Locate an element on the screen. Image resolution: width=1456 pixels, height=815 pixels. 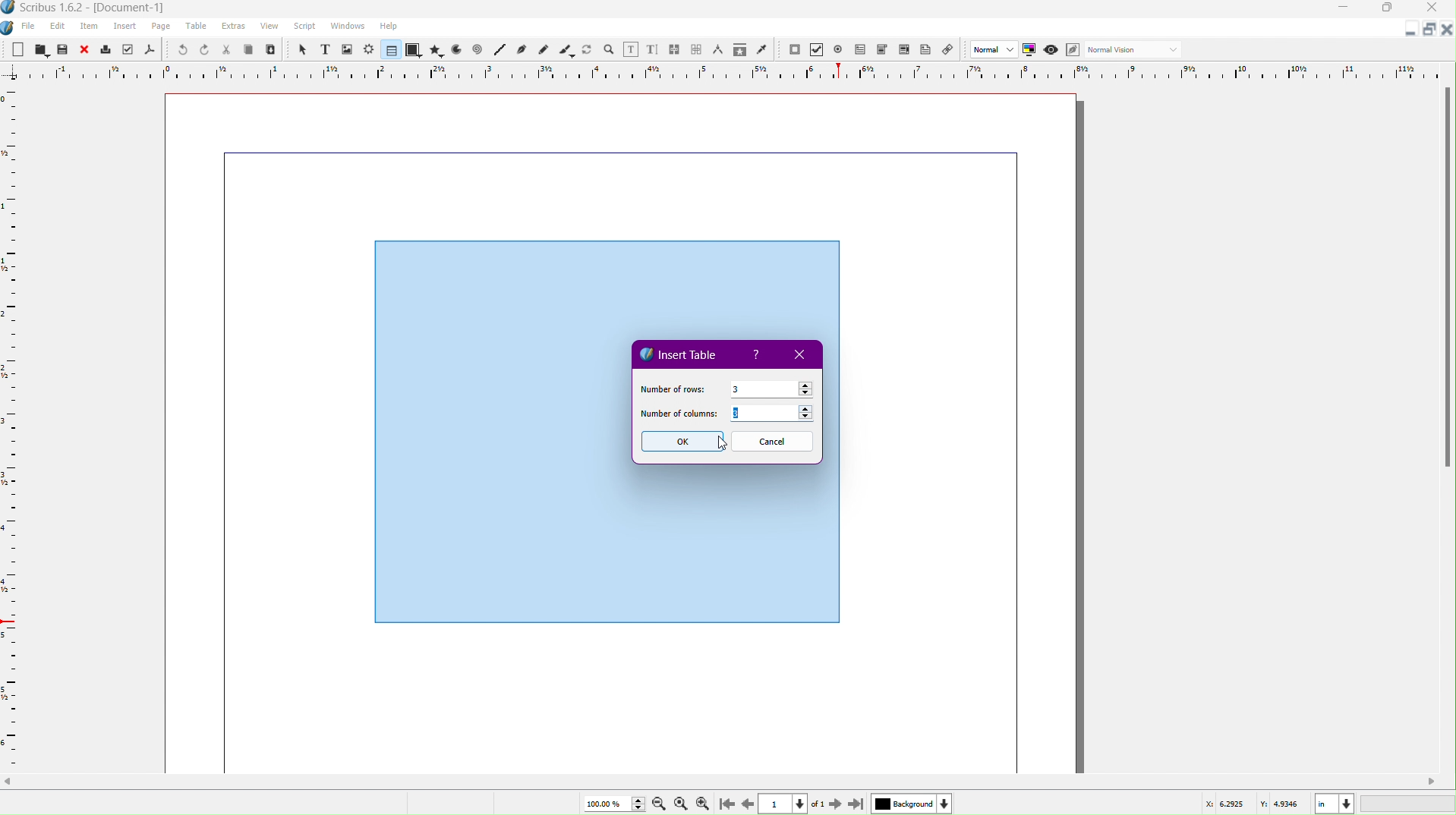
Edit is located at coordinates (57, 26).